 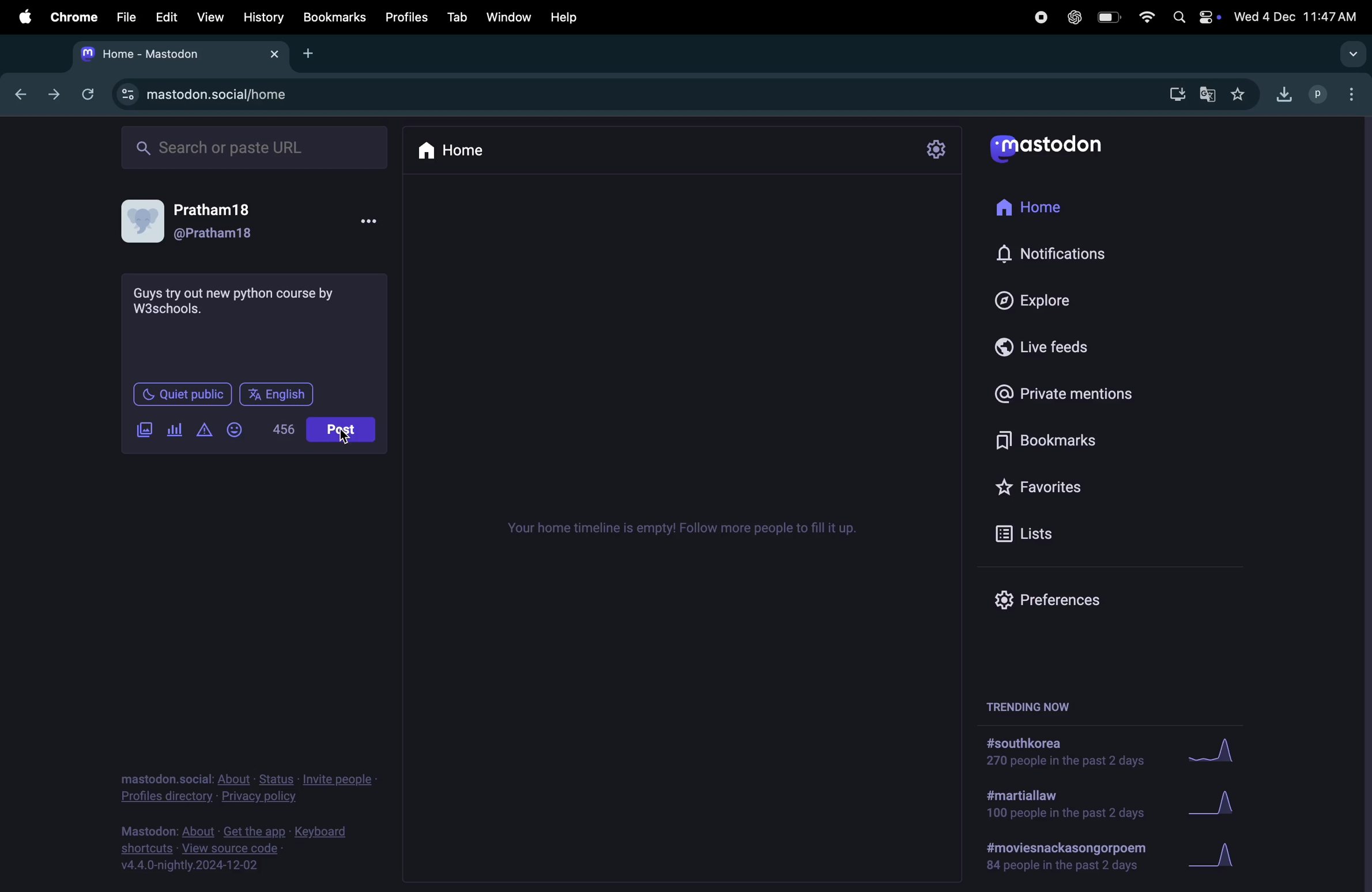 I want to click on favourites, so click(x=1247, y=93).